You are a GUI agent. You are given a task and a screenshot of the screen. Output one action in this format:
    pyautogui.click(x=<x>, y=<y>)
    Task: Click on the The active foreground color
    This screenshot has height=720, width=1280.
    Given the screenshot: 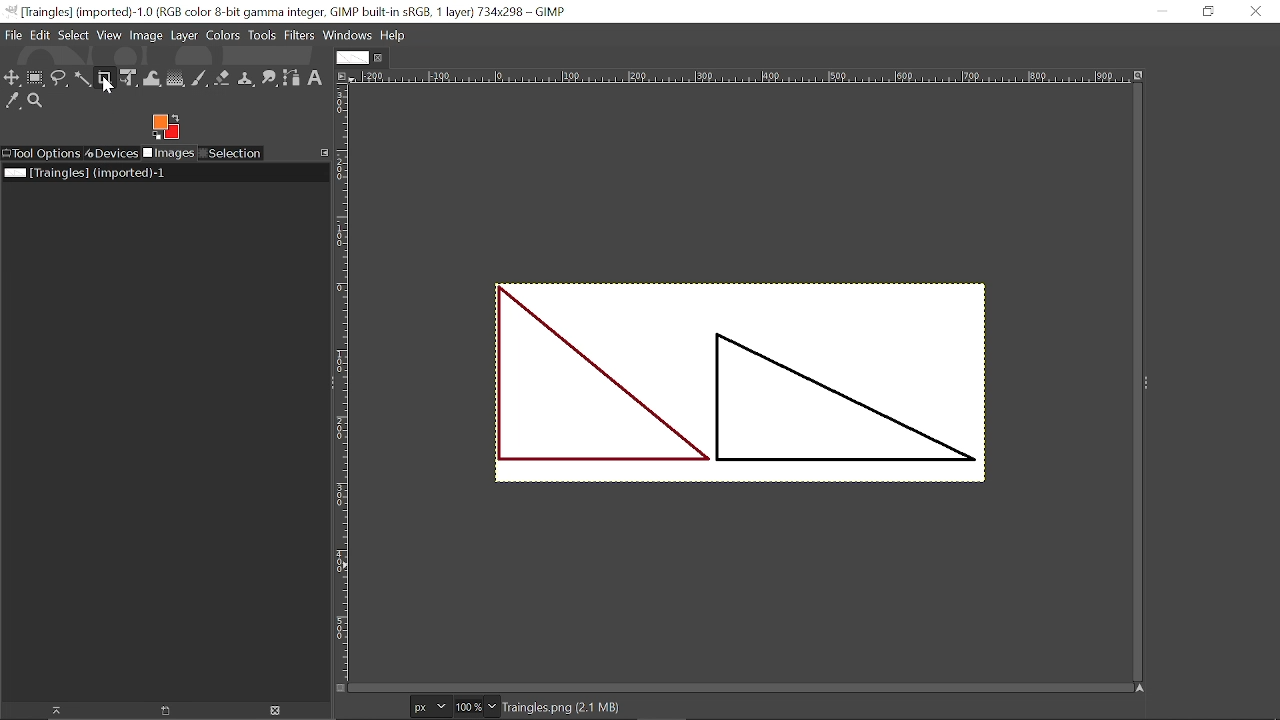 What is the action you would take?
    pyautogui.click(x=166, y=126)
    